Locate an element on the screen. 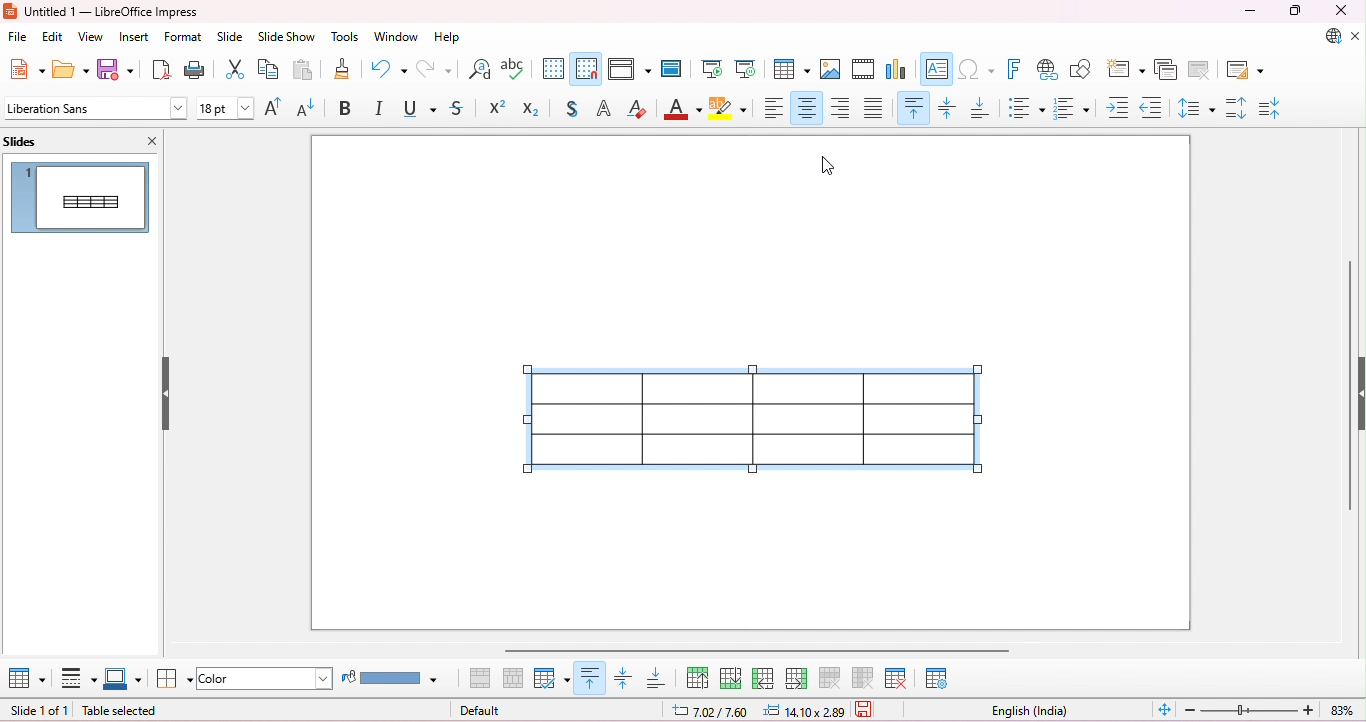 The height and width of the screenshot is (722, 1366). align center is located at coordinates (807, 107).